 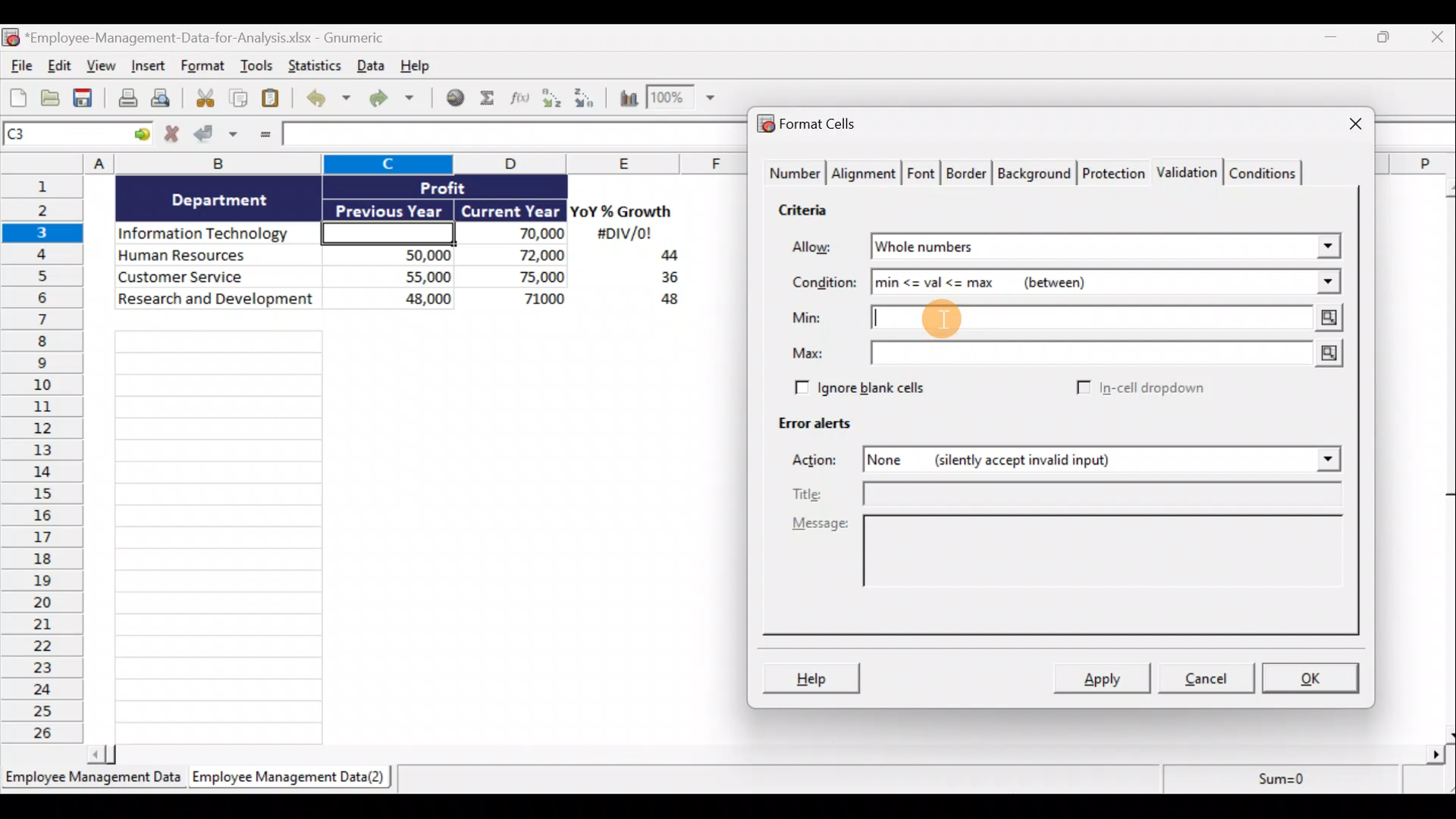 What do you see at coordinates (468, 187) in the screenshot?
I see `Profit` at bounding box center [468, 187].